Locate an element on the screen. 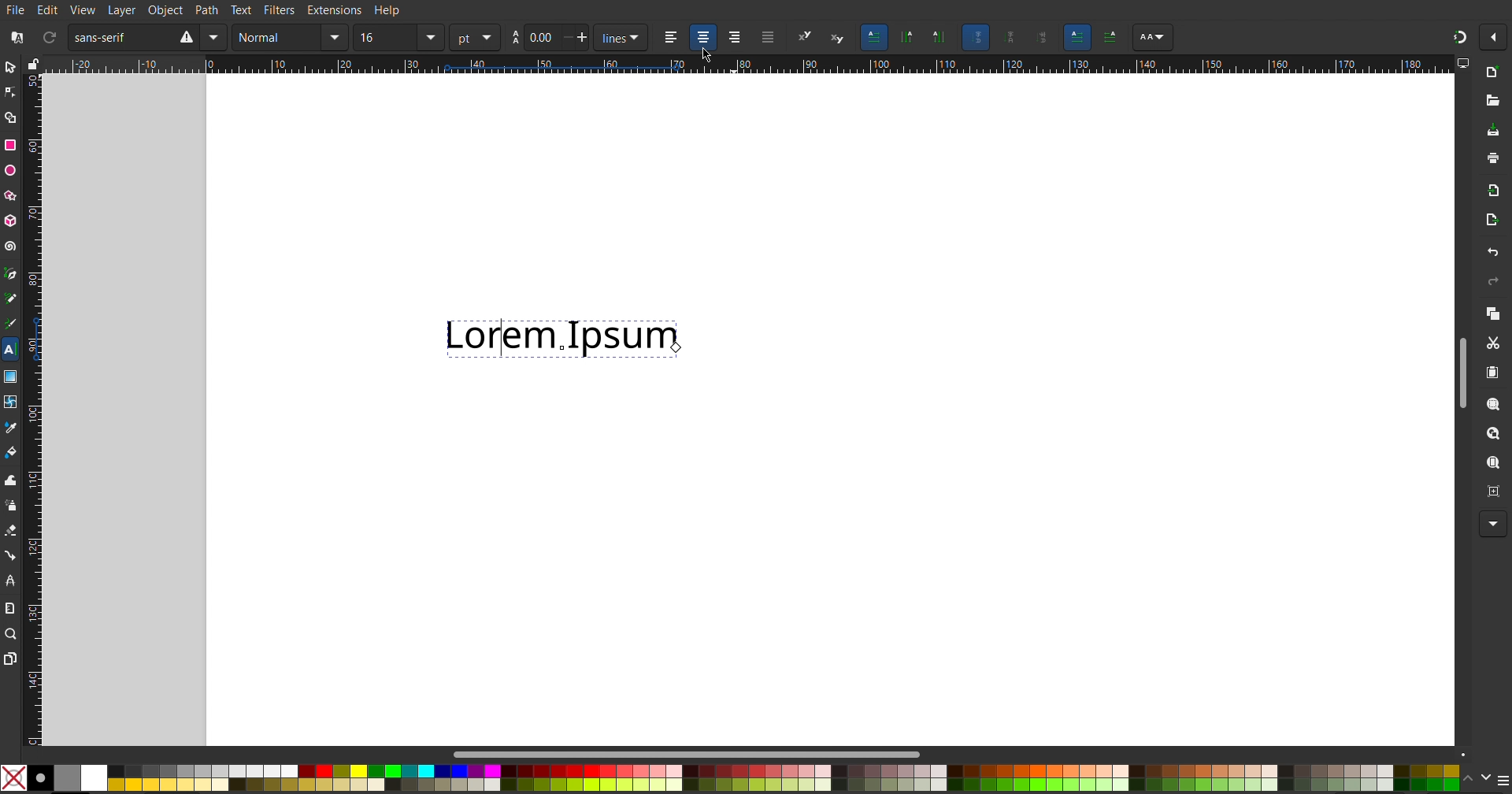  Import BitMap is located at coordinates (1494, 191).